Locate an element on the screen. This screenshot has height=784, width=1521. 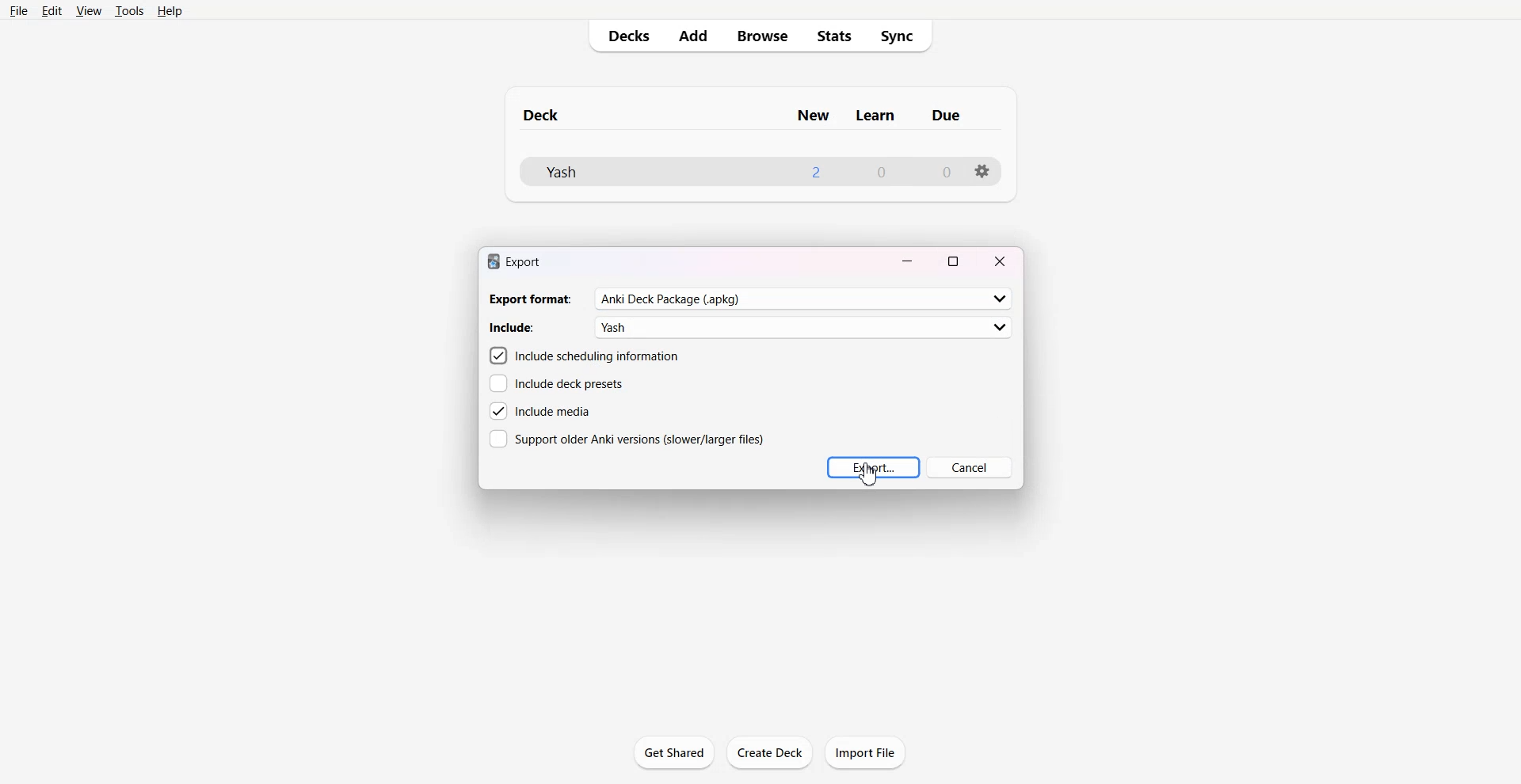
options is located at coordinates (982, 171).